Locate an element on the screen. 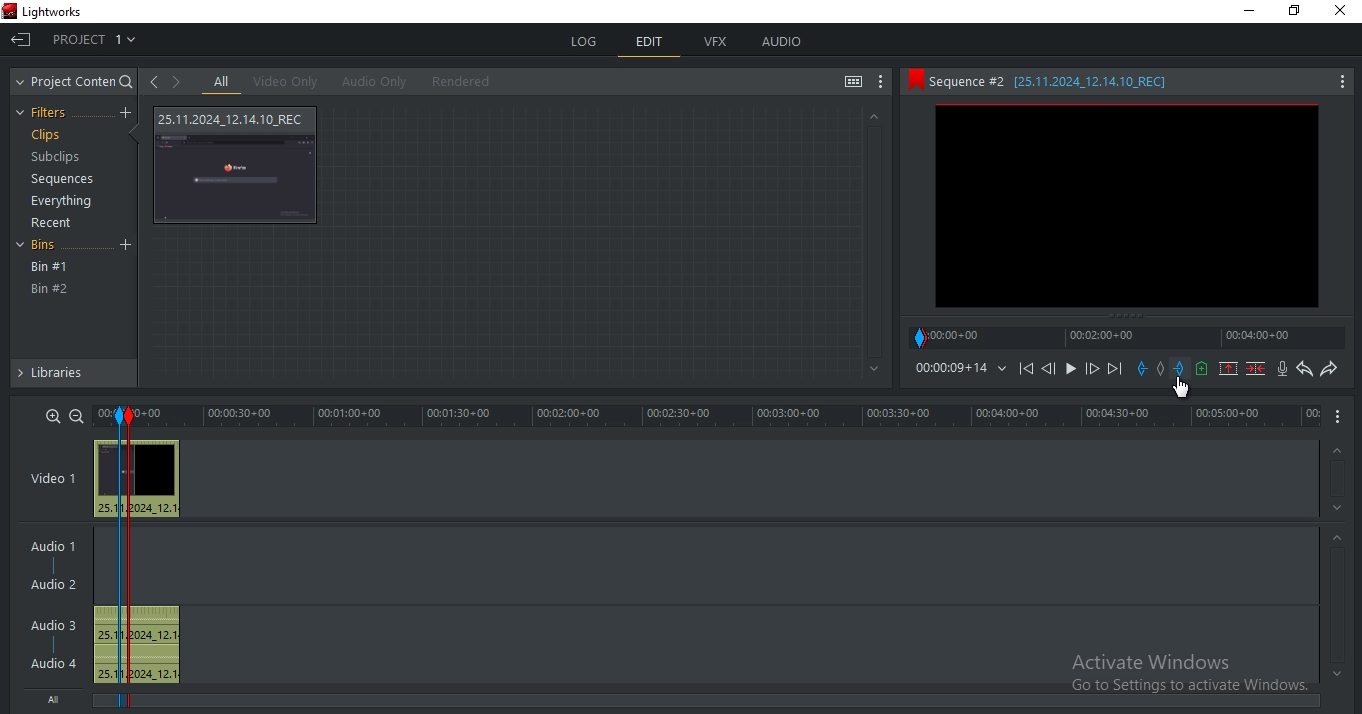 The width and height of the screenshot is (1362, 714). filters is located at coordinates (47, 113).